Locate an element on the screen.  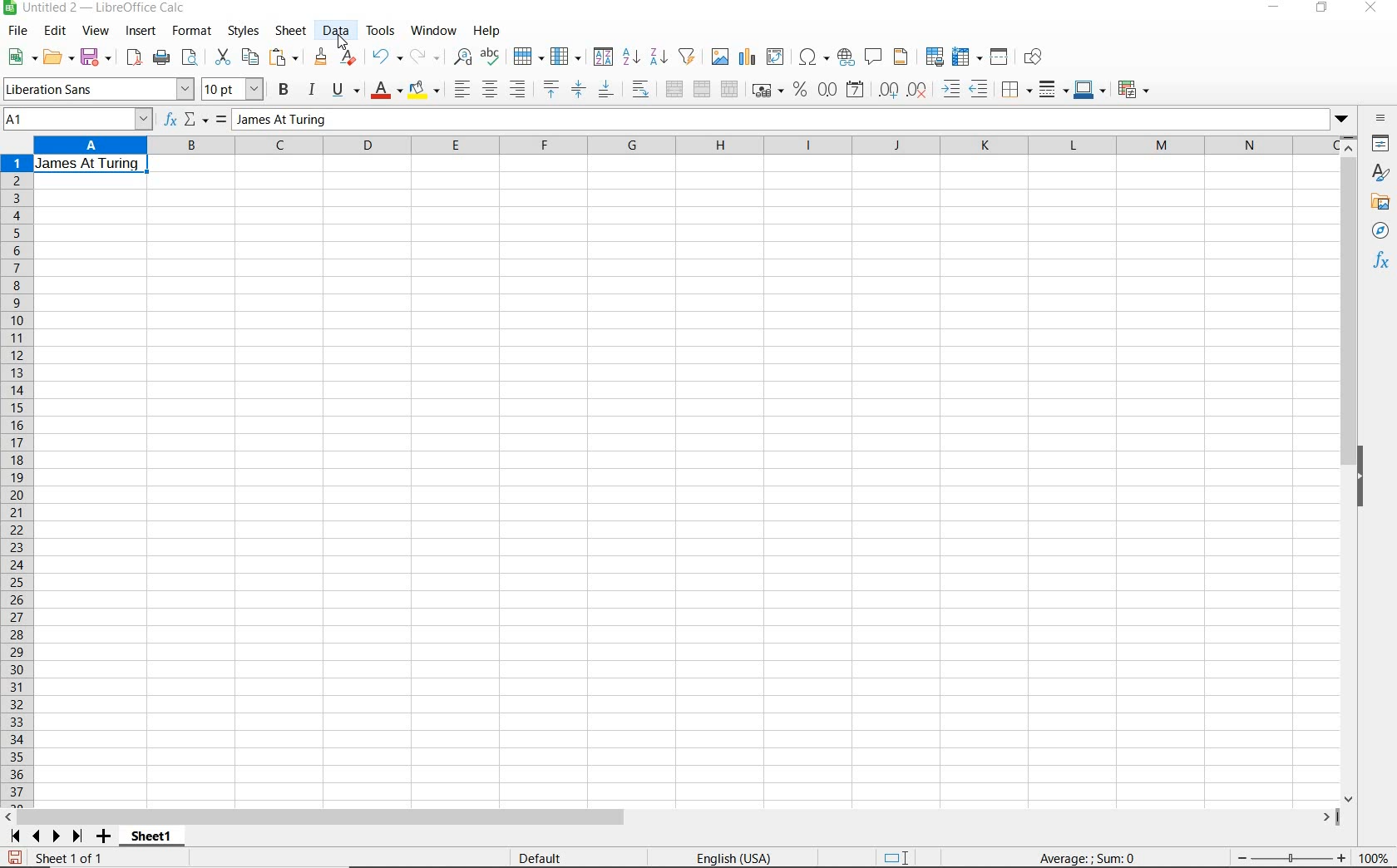
formula is located at coordinates (1084, 857).